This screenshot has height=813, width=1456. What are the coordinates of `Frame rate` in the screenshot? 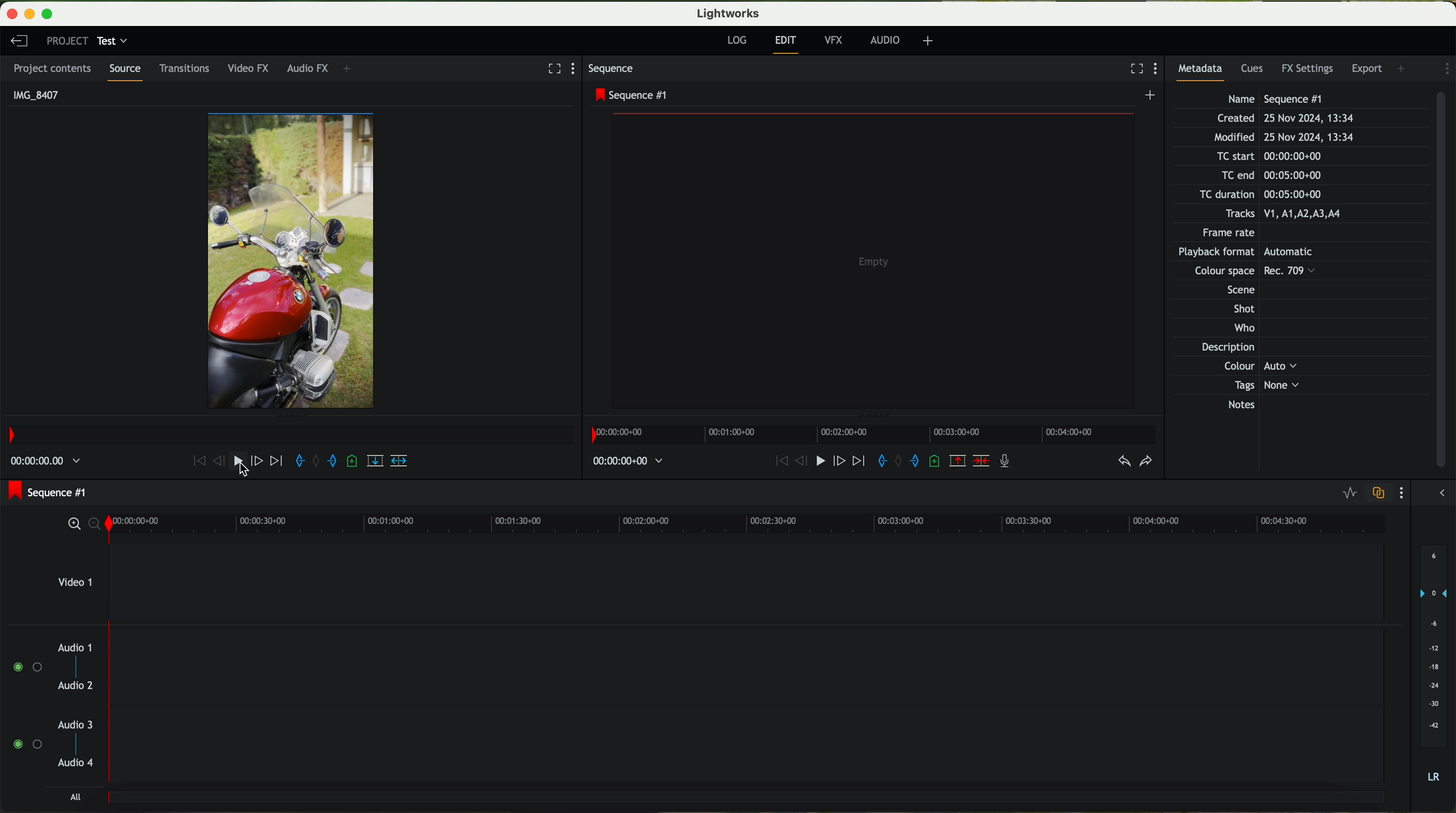 It's located at (1232, 235).